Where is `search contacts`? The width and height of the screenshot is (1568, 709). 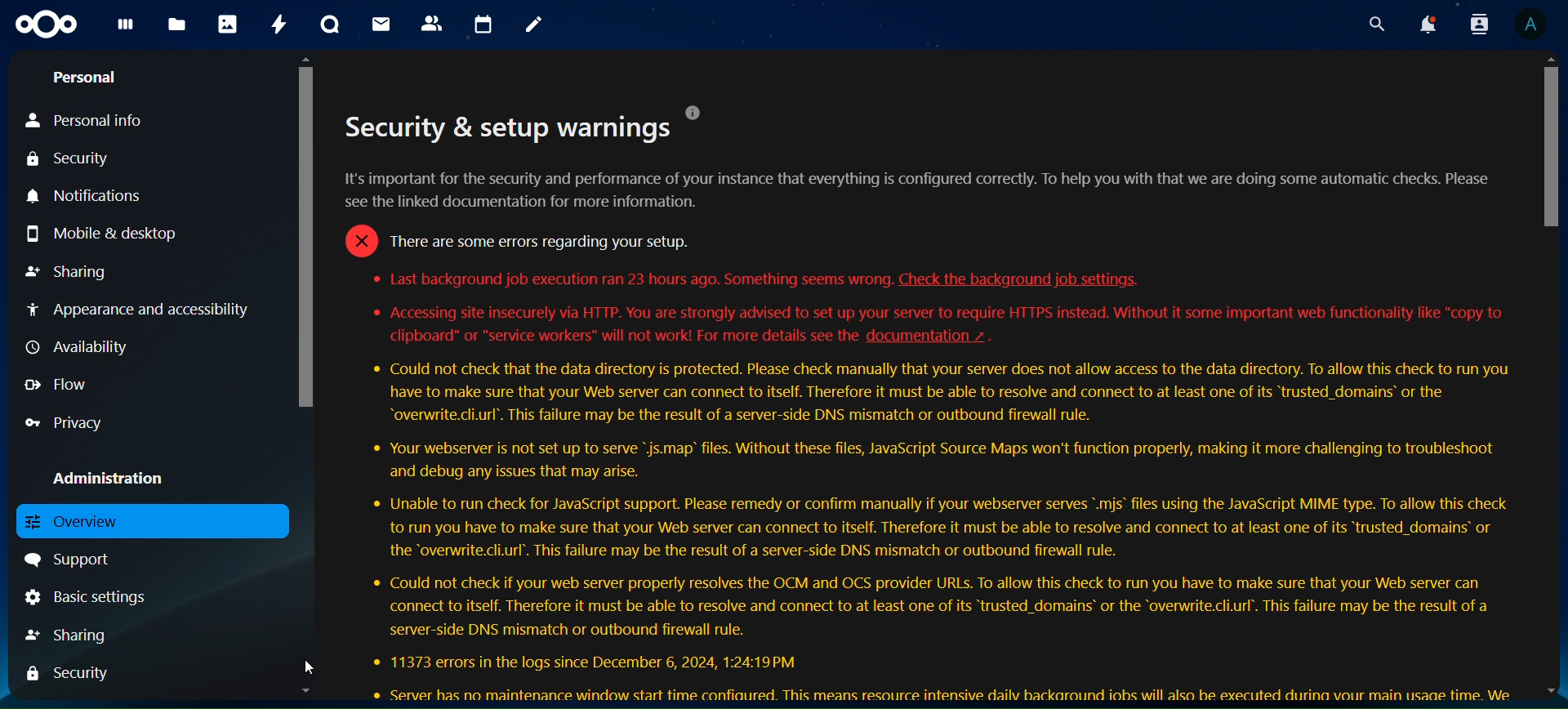
search contacts is located at coordinates (1475, 24).